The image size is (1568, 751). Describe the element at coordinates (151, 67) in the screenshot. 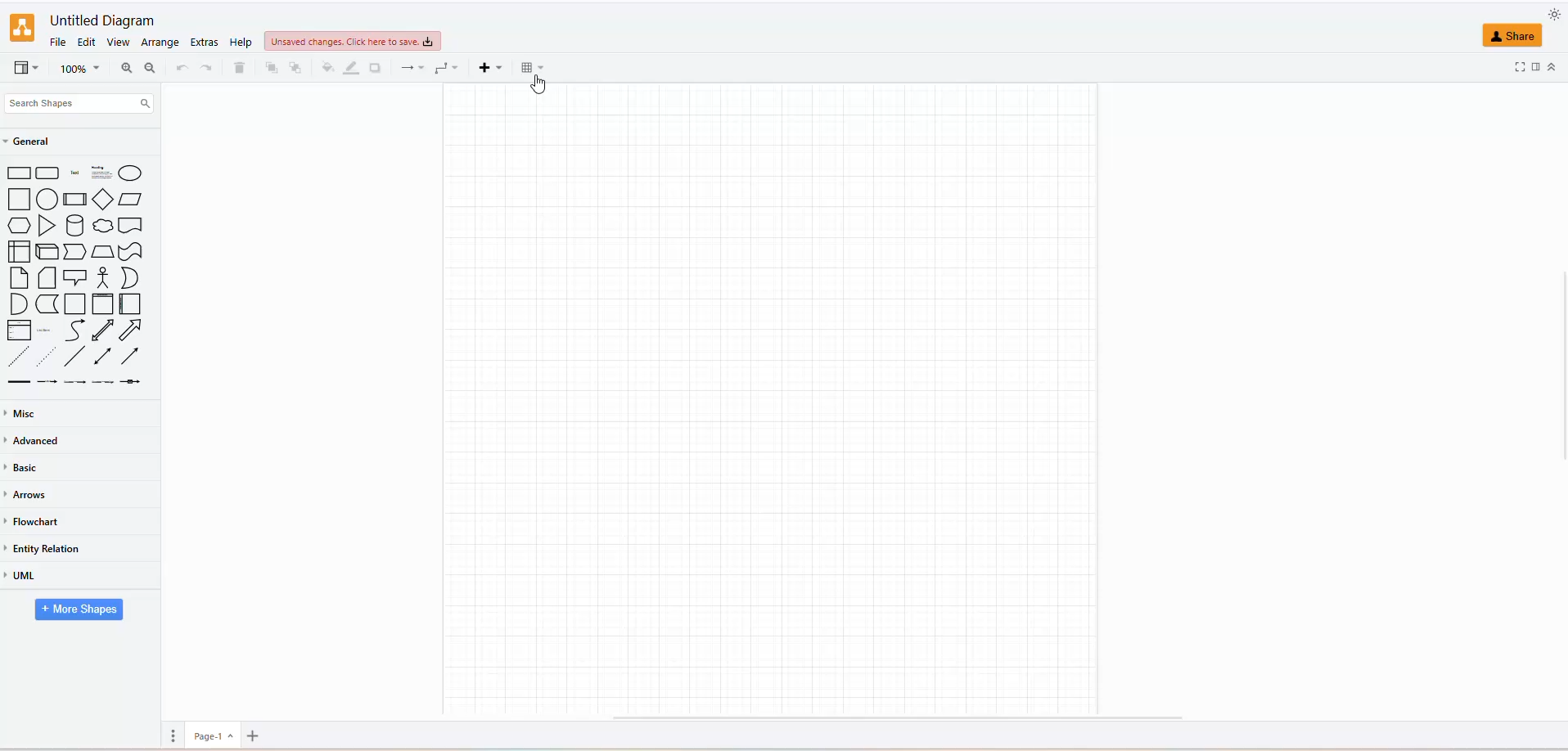

I see `zoom out` at that location.